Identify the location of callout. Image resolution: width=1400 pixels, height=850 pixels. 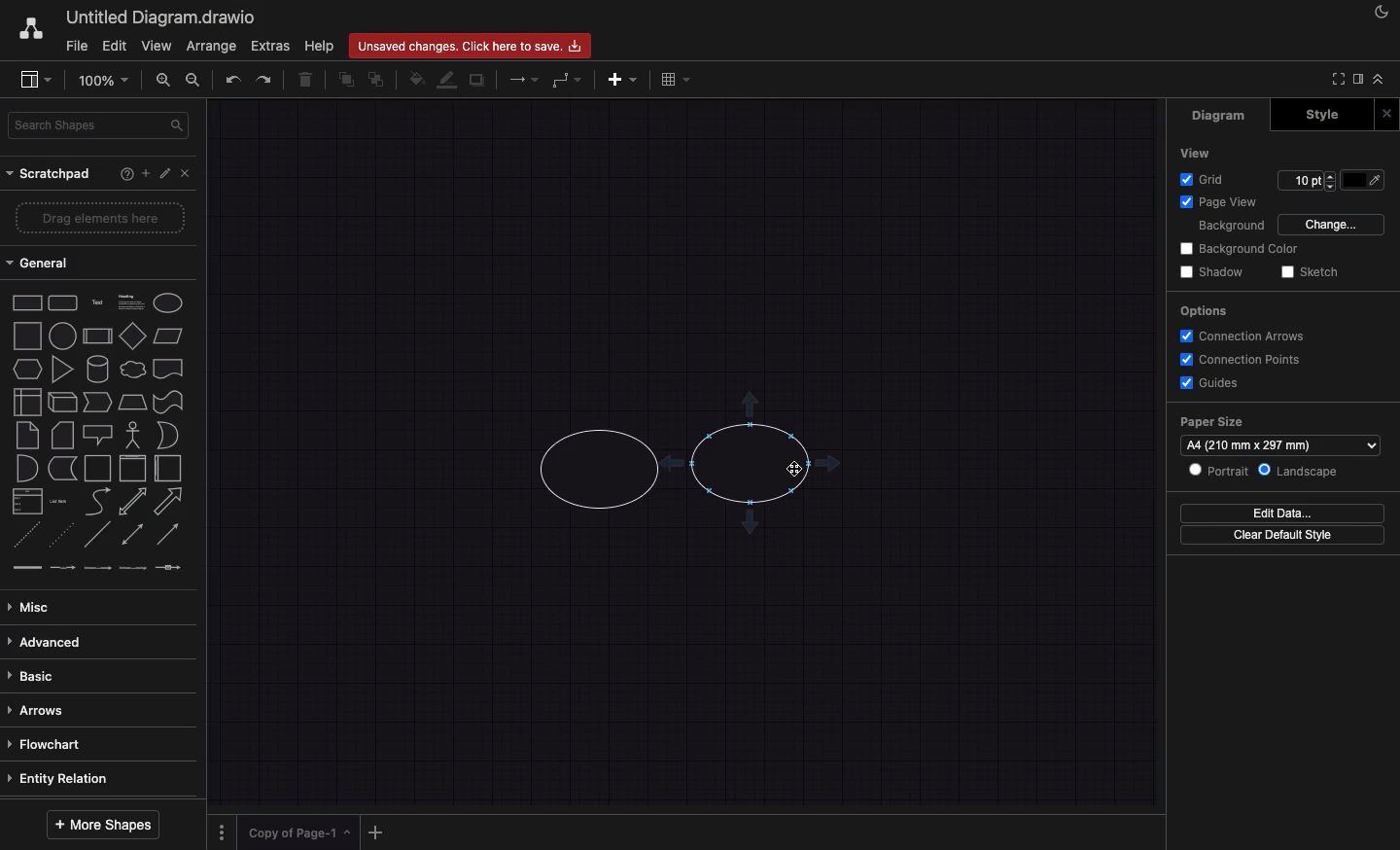
(99, 436).